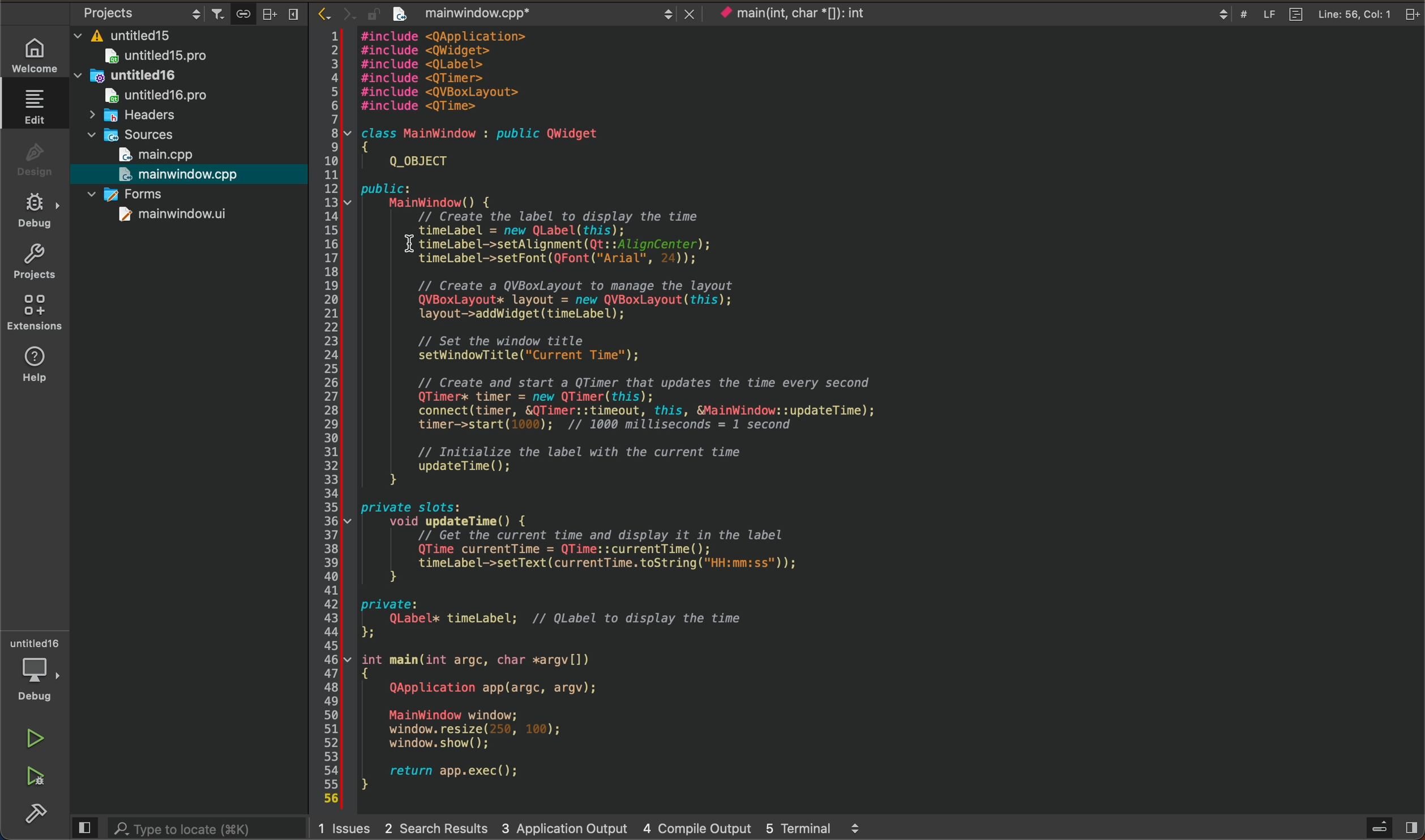  Describe the element at coordinates (1382, 827) in the screenshot. I see `open sidebar` at that location.